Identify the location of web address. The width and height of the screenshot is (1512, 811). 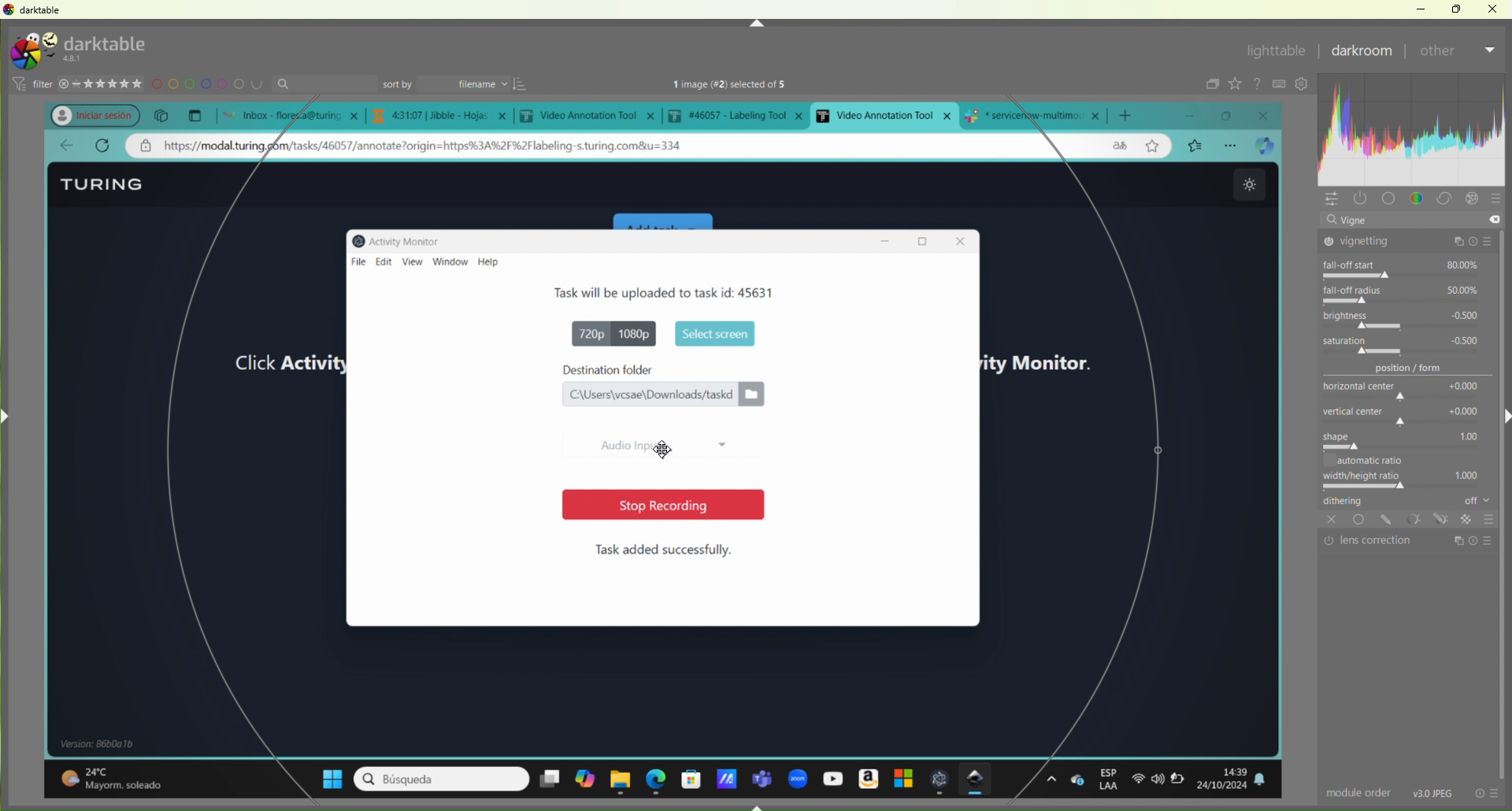
(443, 146).